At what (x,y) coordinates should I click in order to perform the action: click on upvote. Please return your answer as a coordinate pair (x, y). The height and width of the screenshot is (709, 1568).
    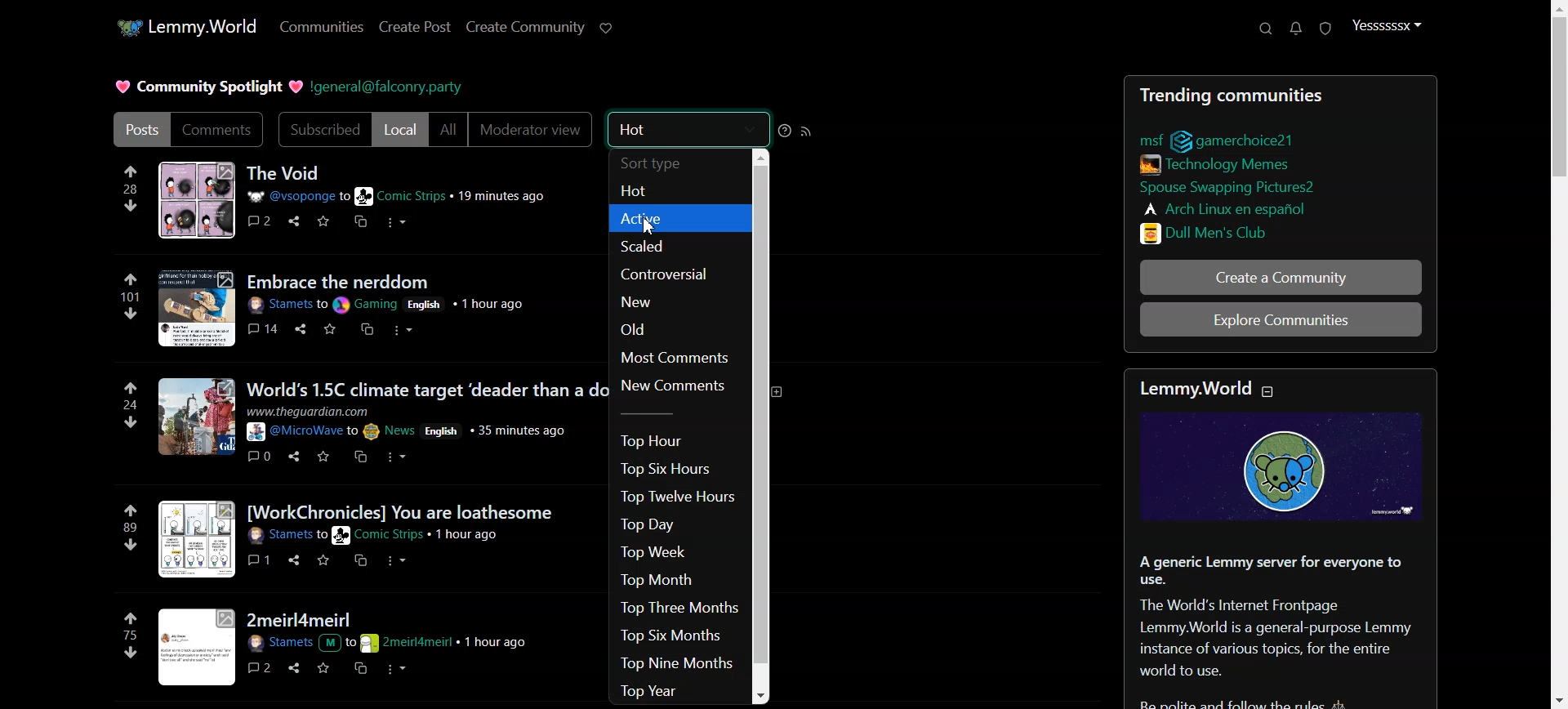
    Looking at the image, I should click on (131, 511).